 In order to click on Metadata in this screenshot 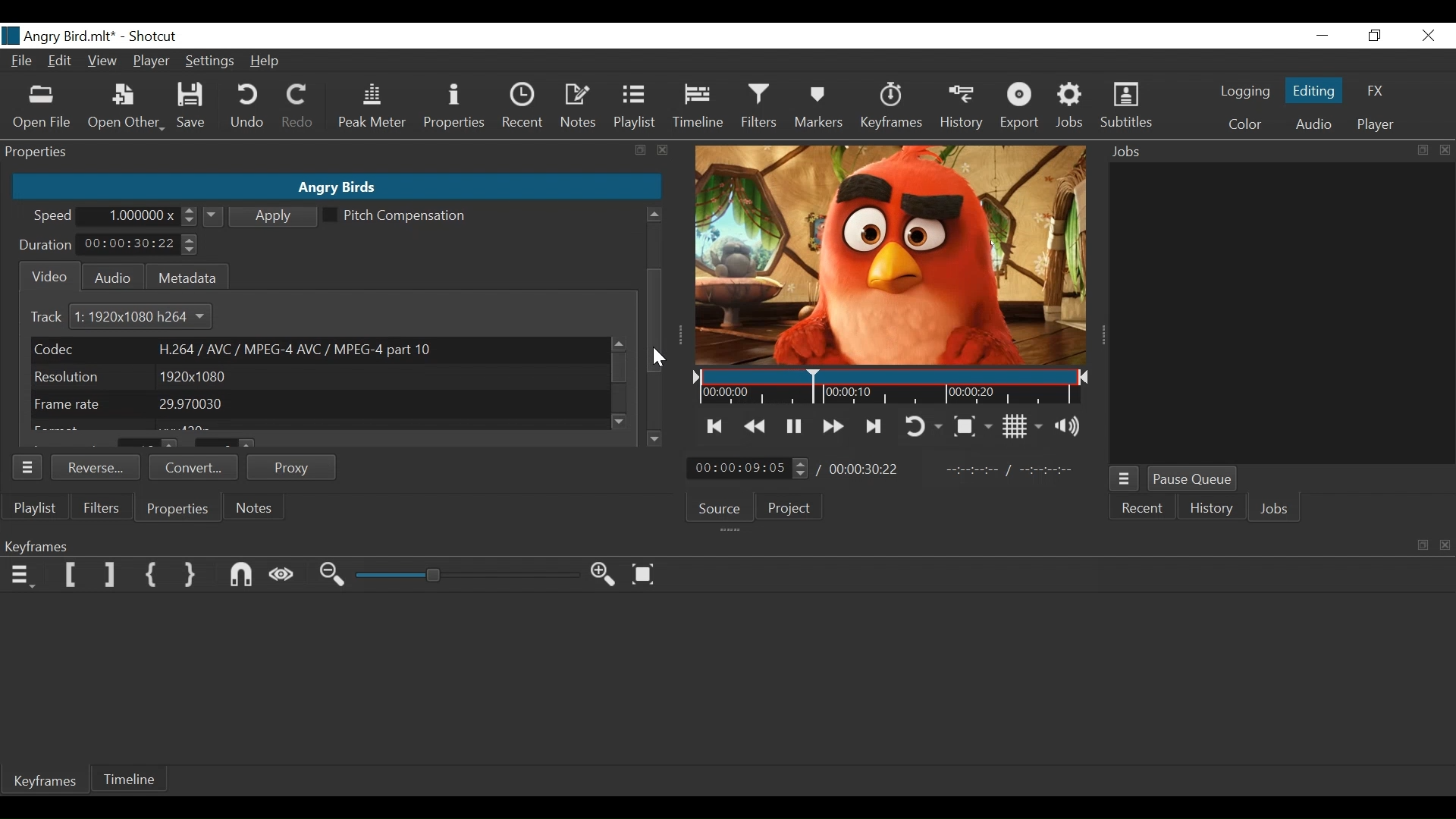, I will do `click(186, 275)`.